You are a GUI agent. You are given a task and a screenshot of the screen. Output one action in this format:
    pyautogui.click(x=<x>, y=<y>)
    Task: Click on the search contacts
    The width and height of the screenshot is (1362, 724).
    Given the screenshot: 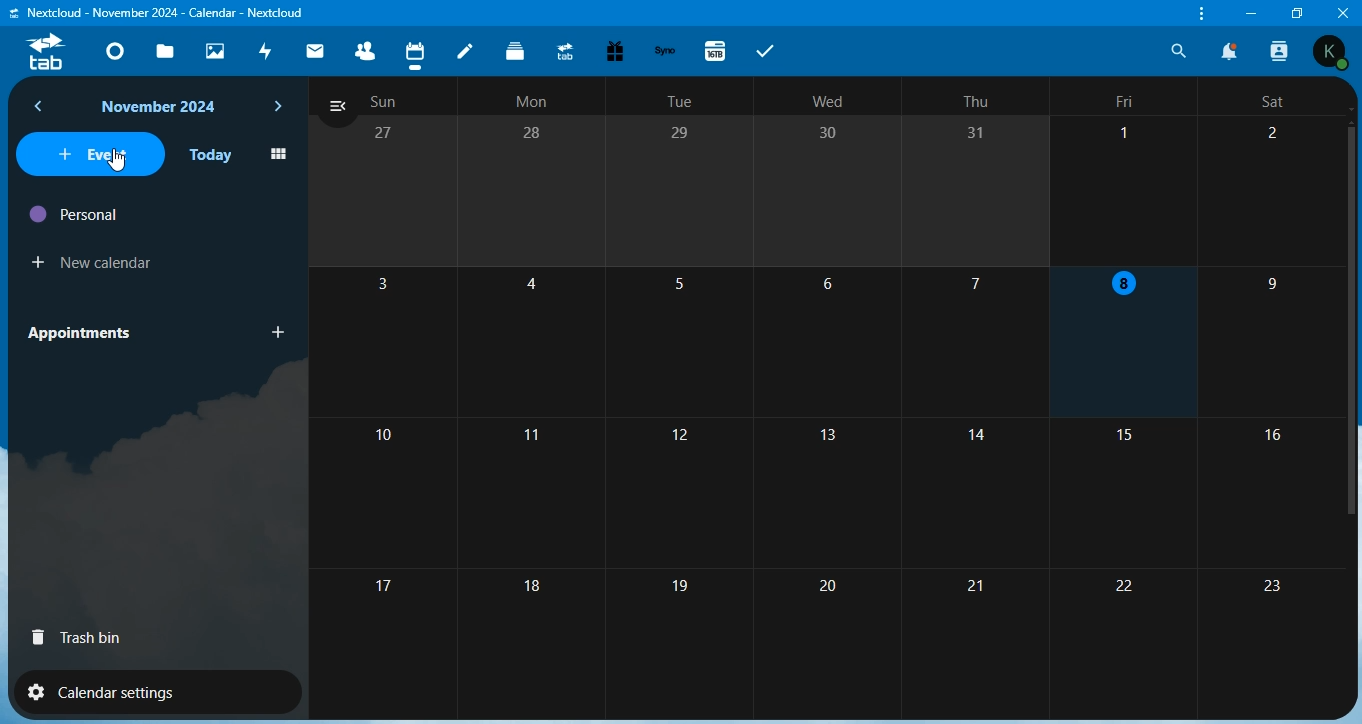 What is the action you would take?
    pyautogui.click(x=1283, y=54)
    